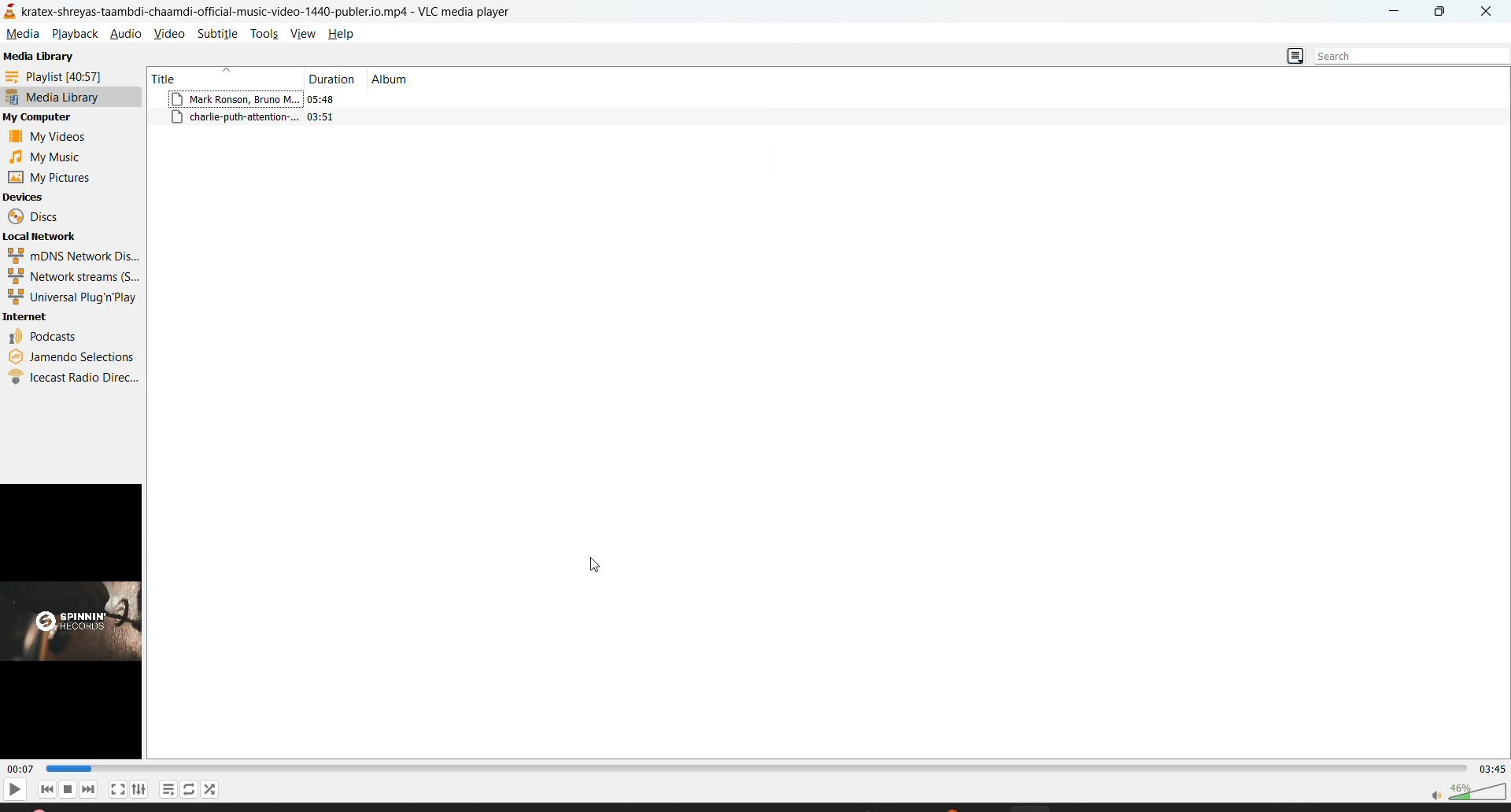 This screenshot has height=812, width=1511. What do you see at coordinates (41, 58) in the screenshot?
I see `media library` at bounding box center [41, 58].